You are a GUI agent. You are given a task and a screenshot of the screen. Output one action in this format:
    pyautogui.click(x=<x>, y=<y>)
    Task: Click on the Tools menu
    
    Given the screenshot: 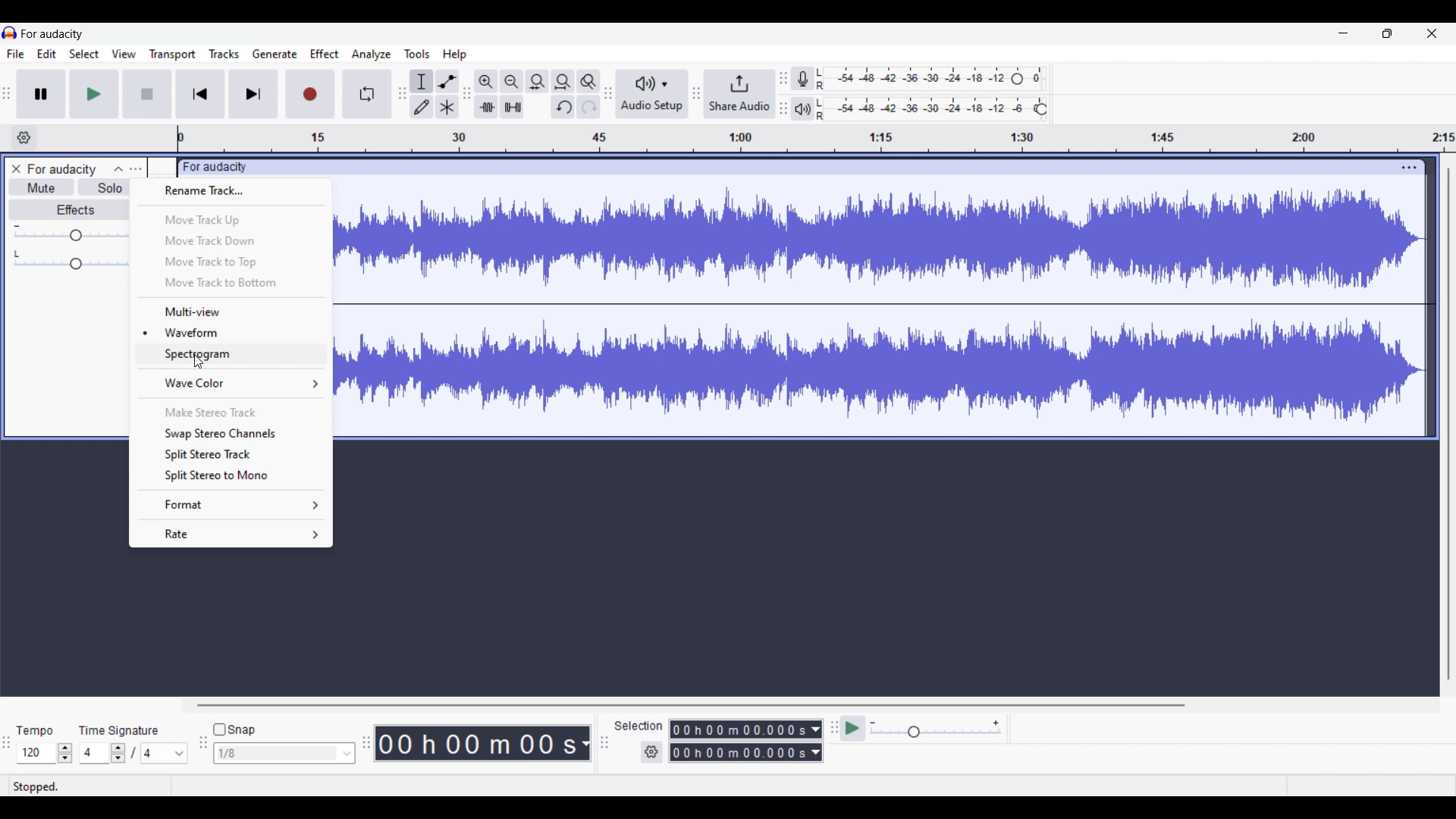 What is the action you would take?
    pyautogui.click(x=417, y=54)
    